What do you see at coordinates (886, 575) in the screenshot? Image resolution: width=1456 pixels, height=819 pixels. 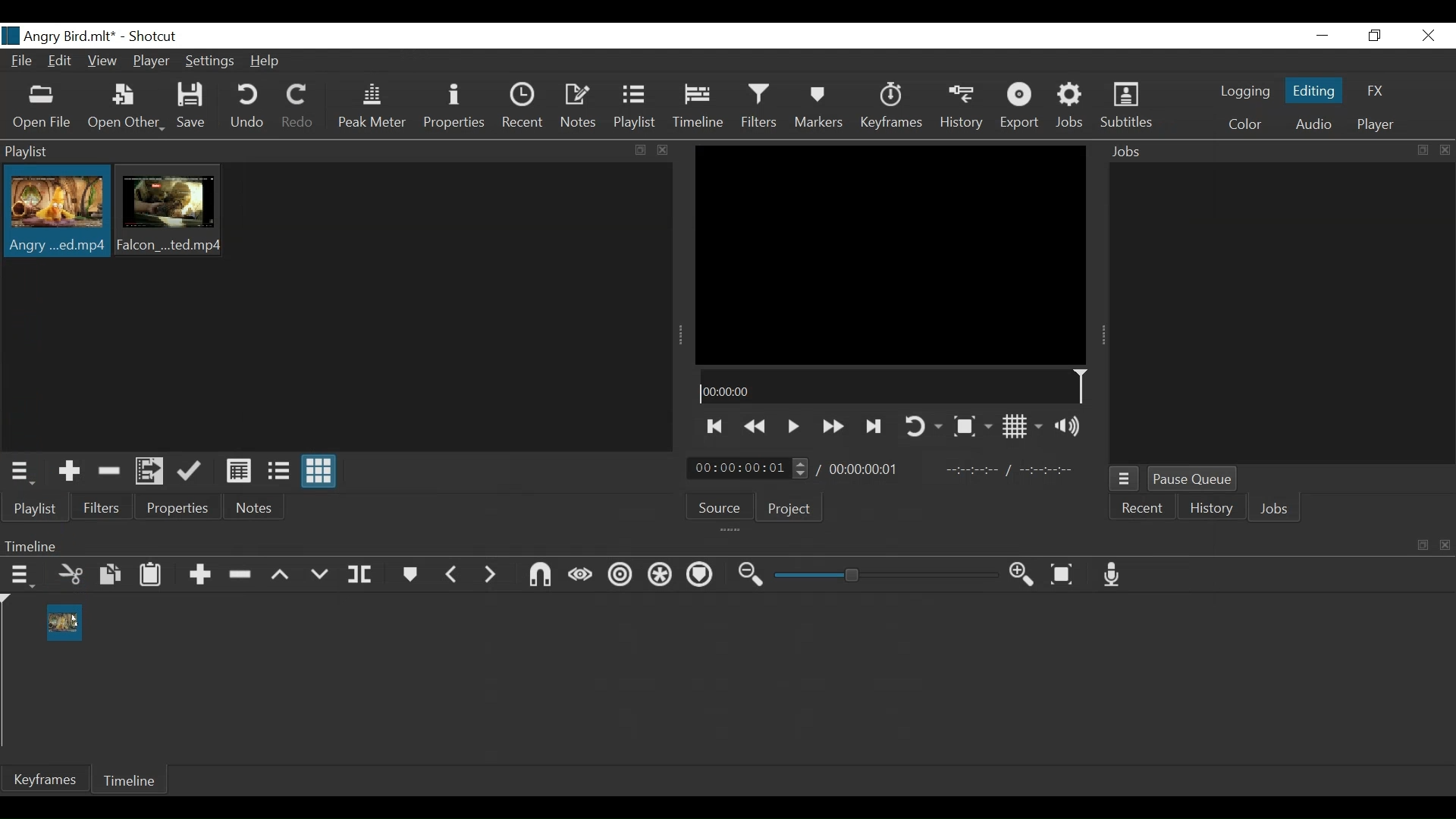 I see `Zoom slider` at bounding box center [886, 575].